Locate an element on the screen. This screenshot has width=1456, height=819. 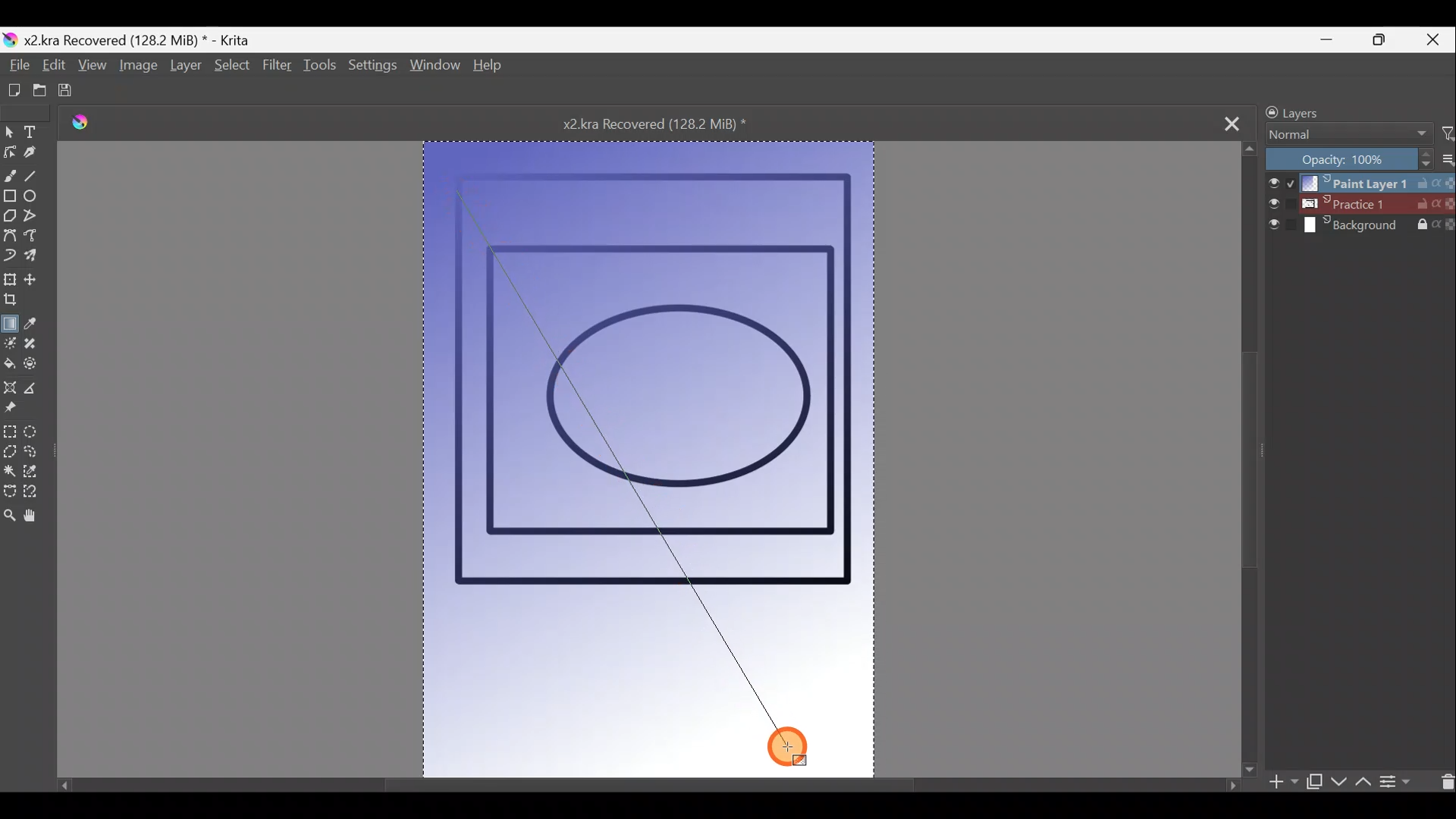
Freehand path tool is located at coordinates (36, 240).